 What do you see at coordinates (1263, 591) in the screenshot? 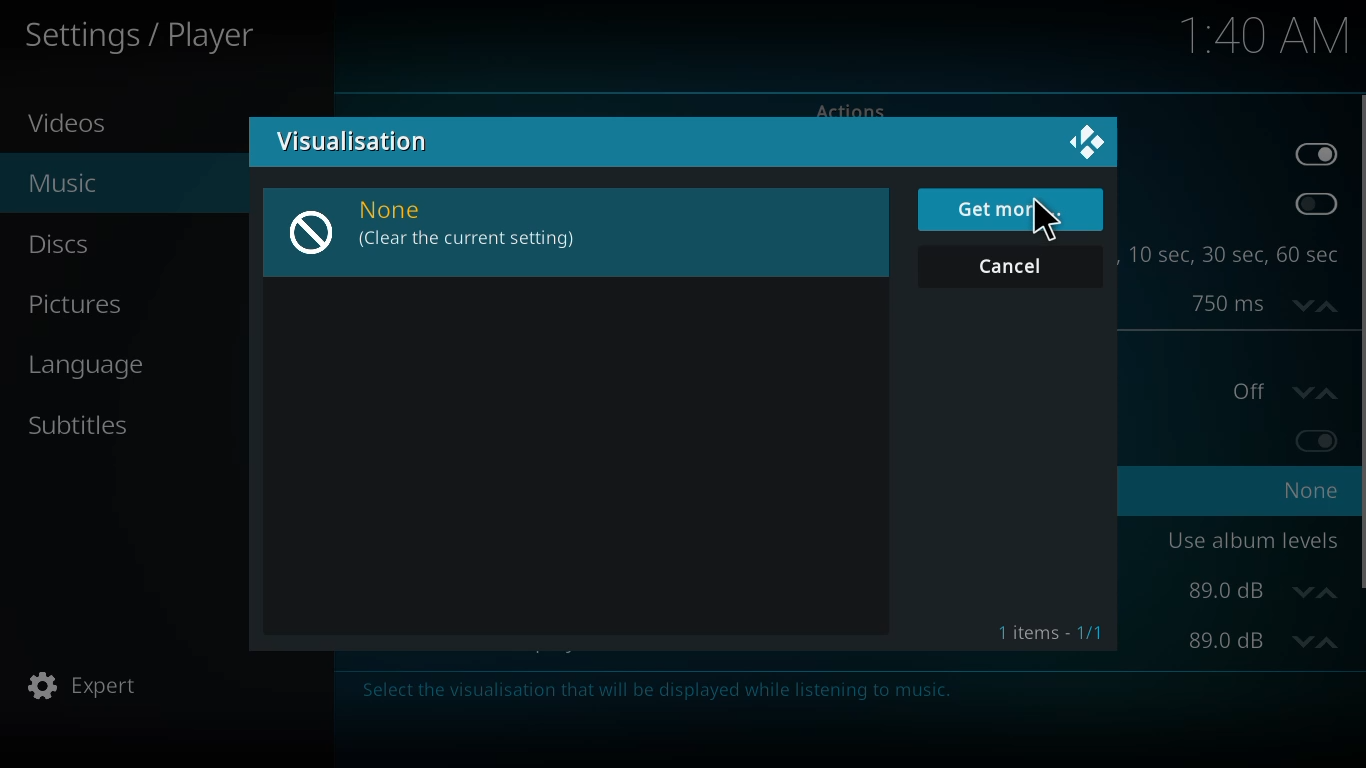
I see `db` at bounding box center [1263, 591].